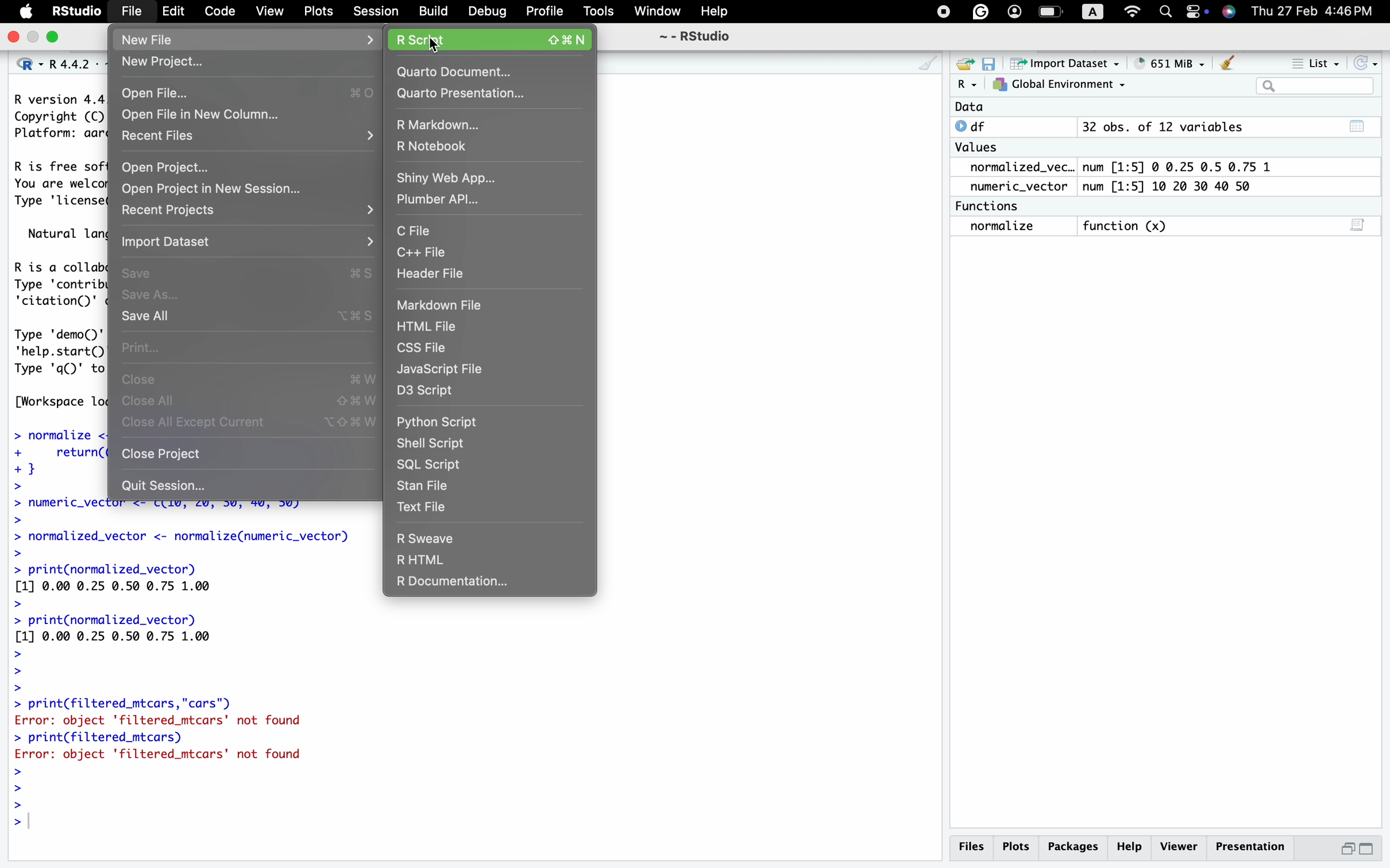 This screenshot has width=1390, height=868. I want to click on Functions, so click(999, 206).